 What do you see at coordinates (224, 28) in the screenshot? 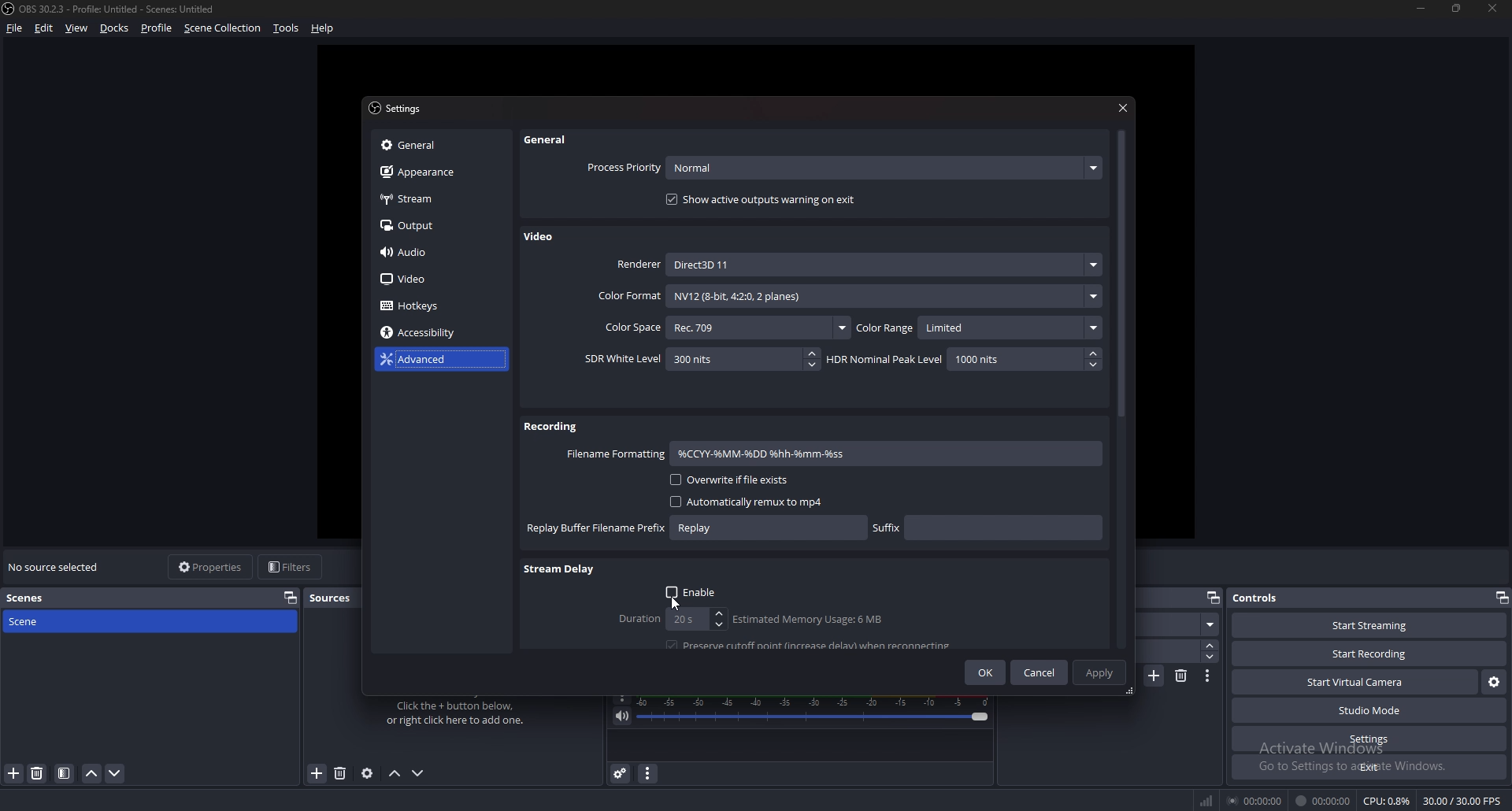
I see `scene collection` at bounding box center [224, 28].